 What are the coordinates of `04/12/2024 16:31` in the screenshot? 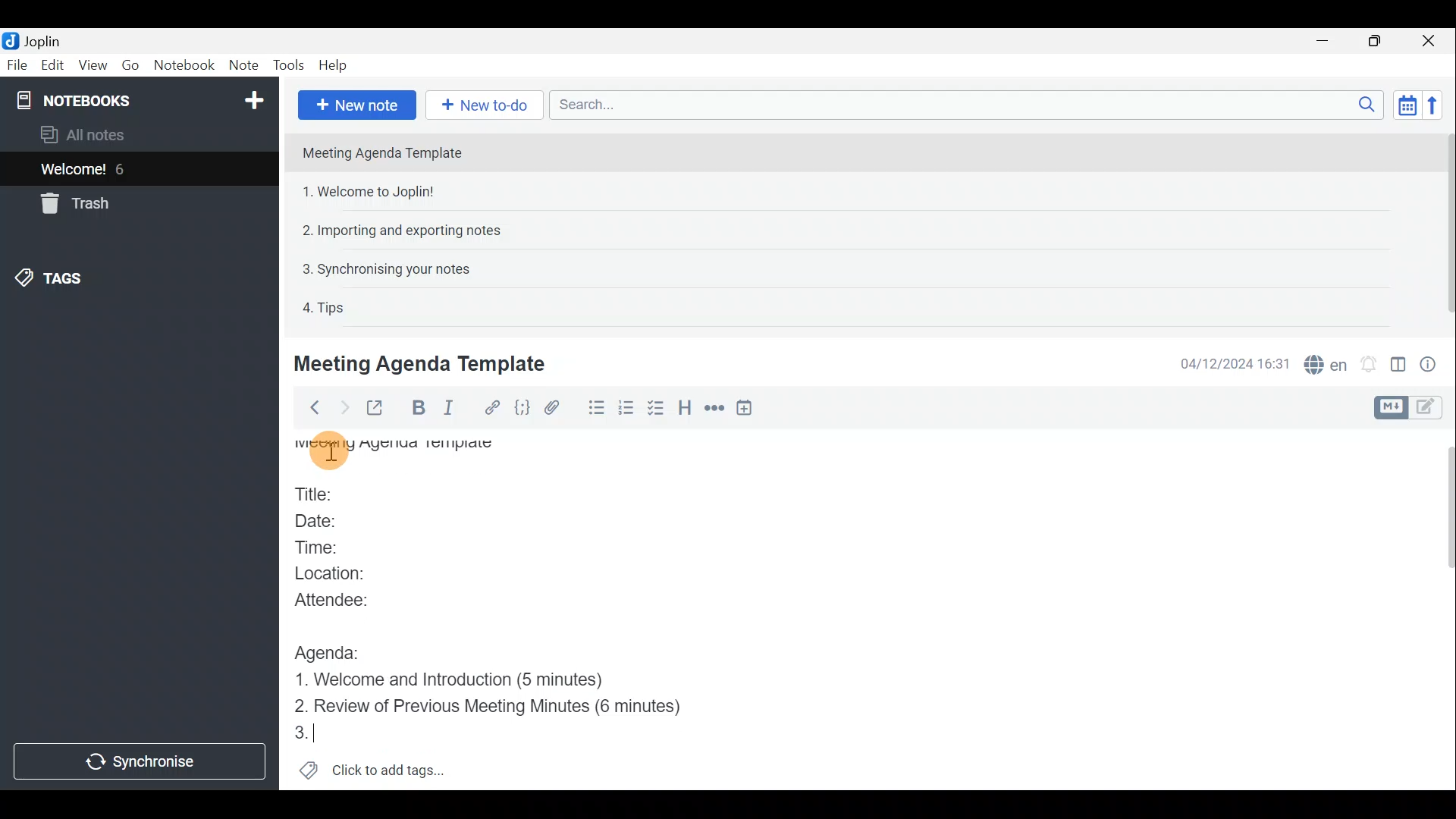 It's located at (1228, 362).